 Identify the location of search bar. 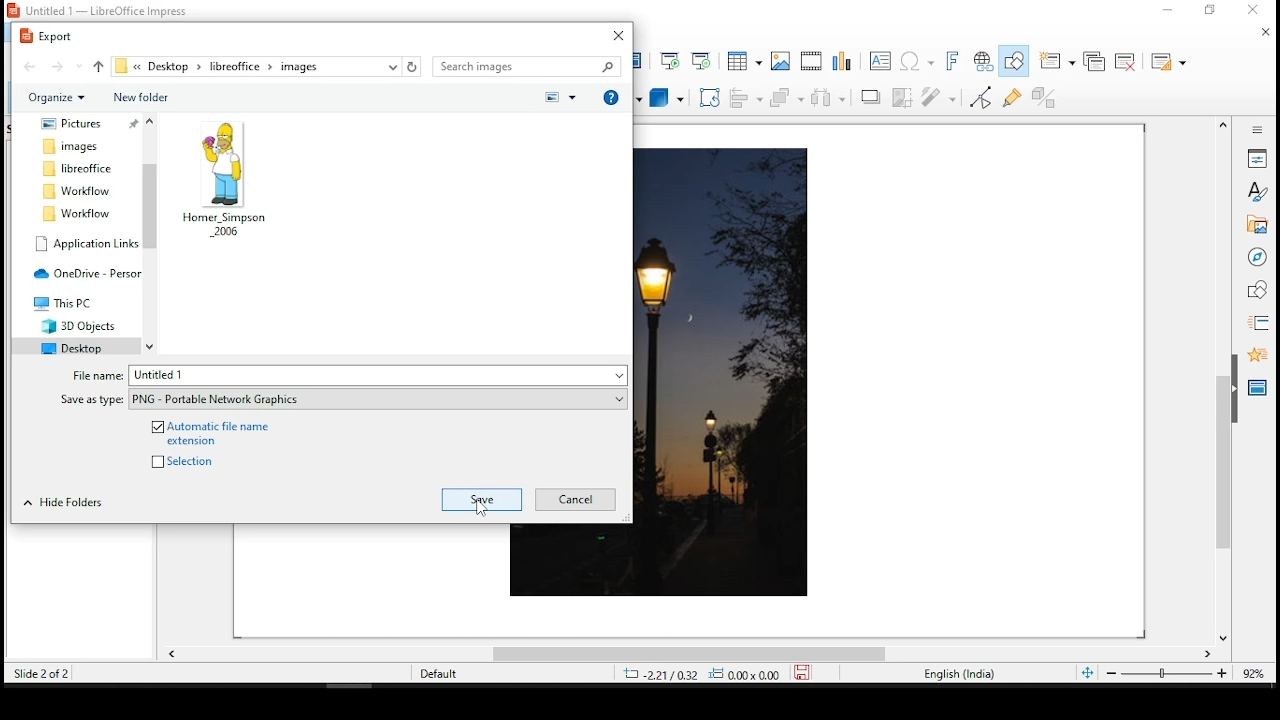
(526, 67).